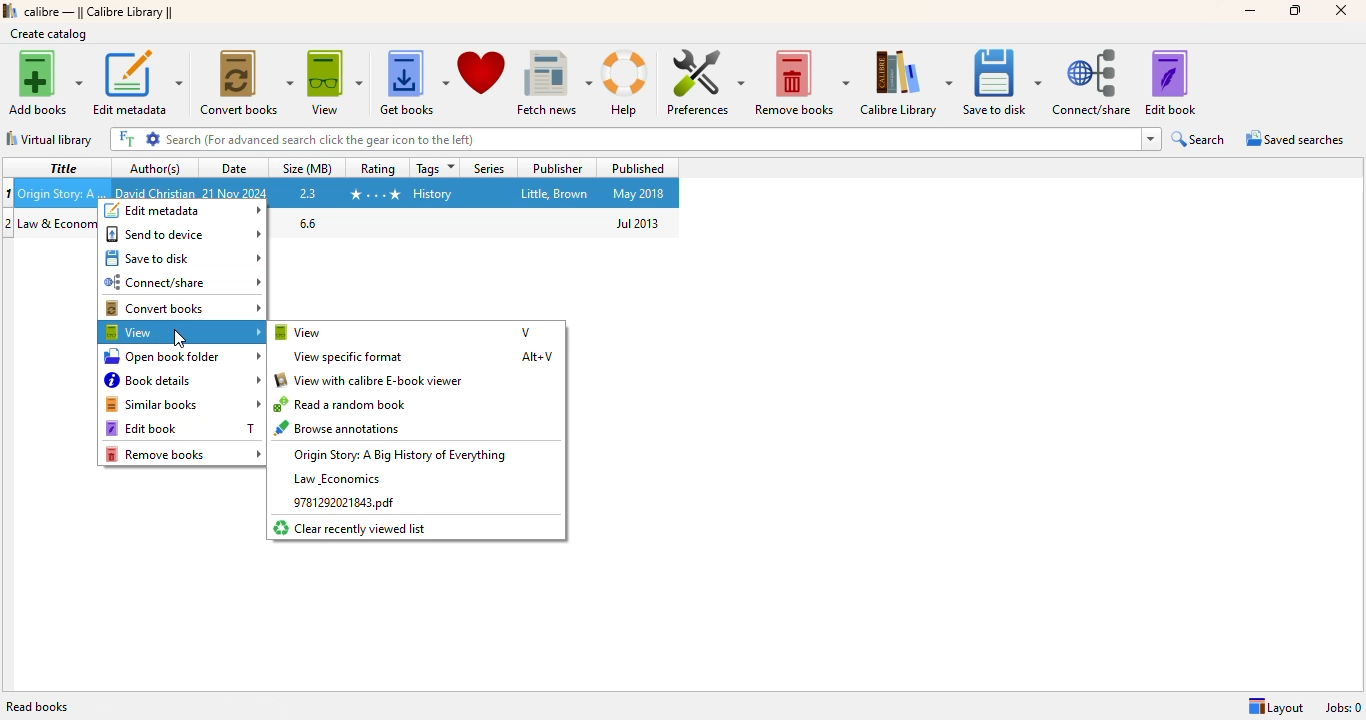 The width and height of the screenshot is (1366, 720). I want to click on minimize, so click(1249, 11).